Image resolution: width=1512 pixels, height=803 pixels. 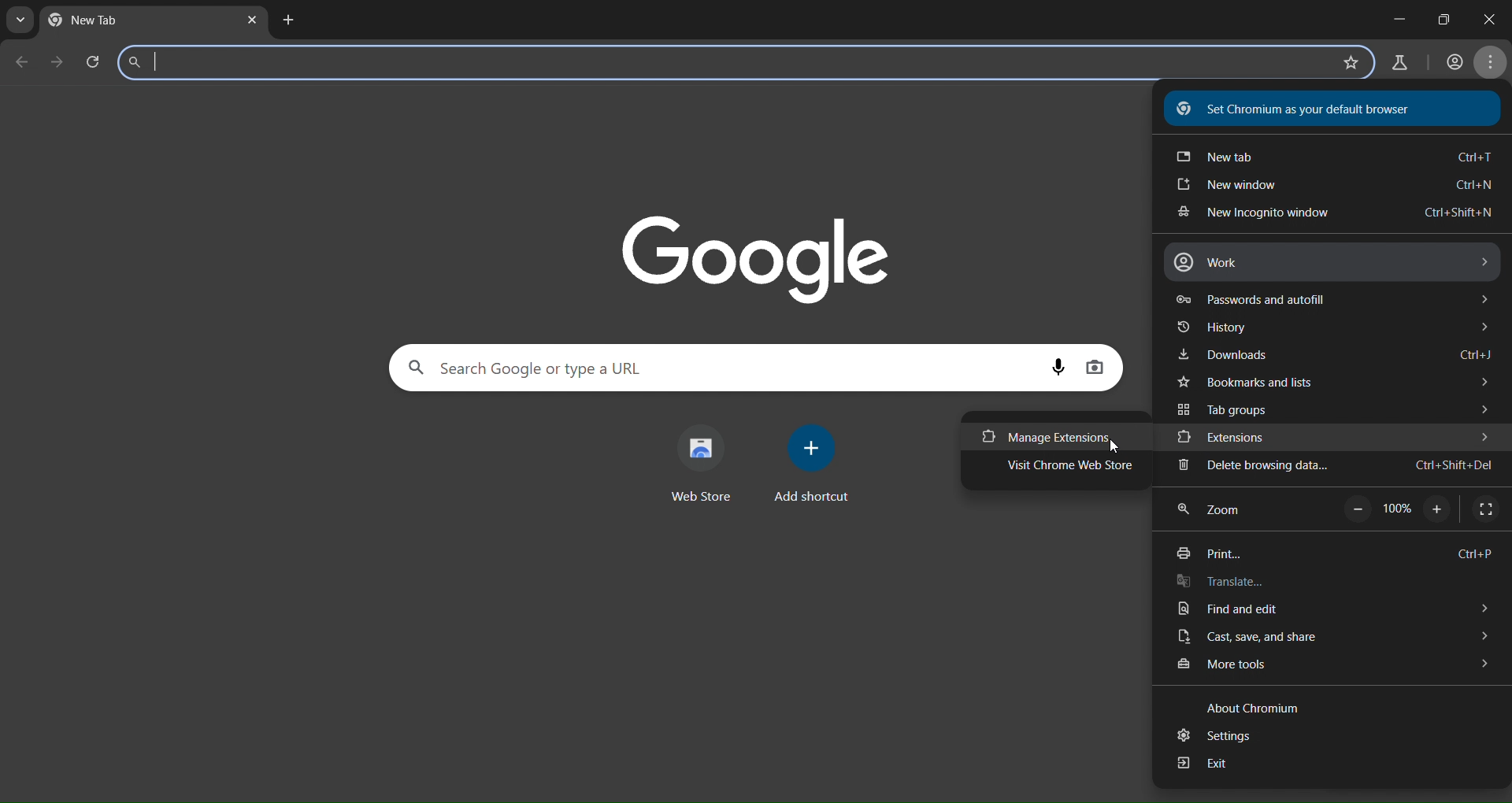 What do you see at coordinates (94, 20) in the screenshot?
I see `current tab` at bounding box center [94, 20].